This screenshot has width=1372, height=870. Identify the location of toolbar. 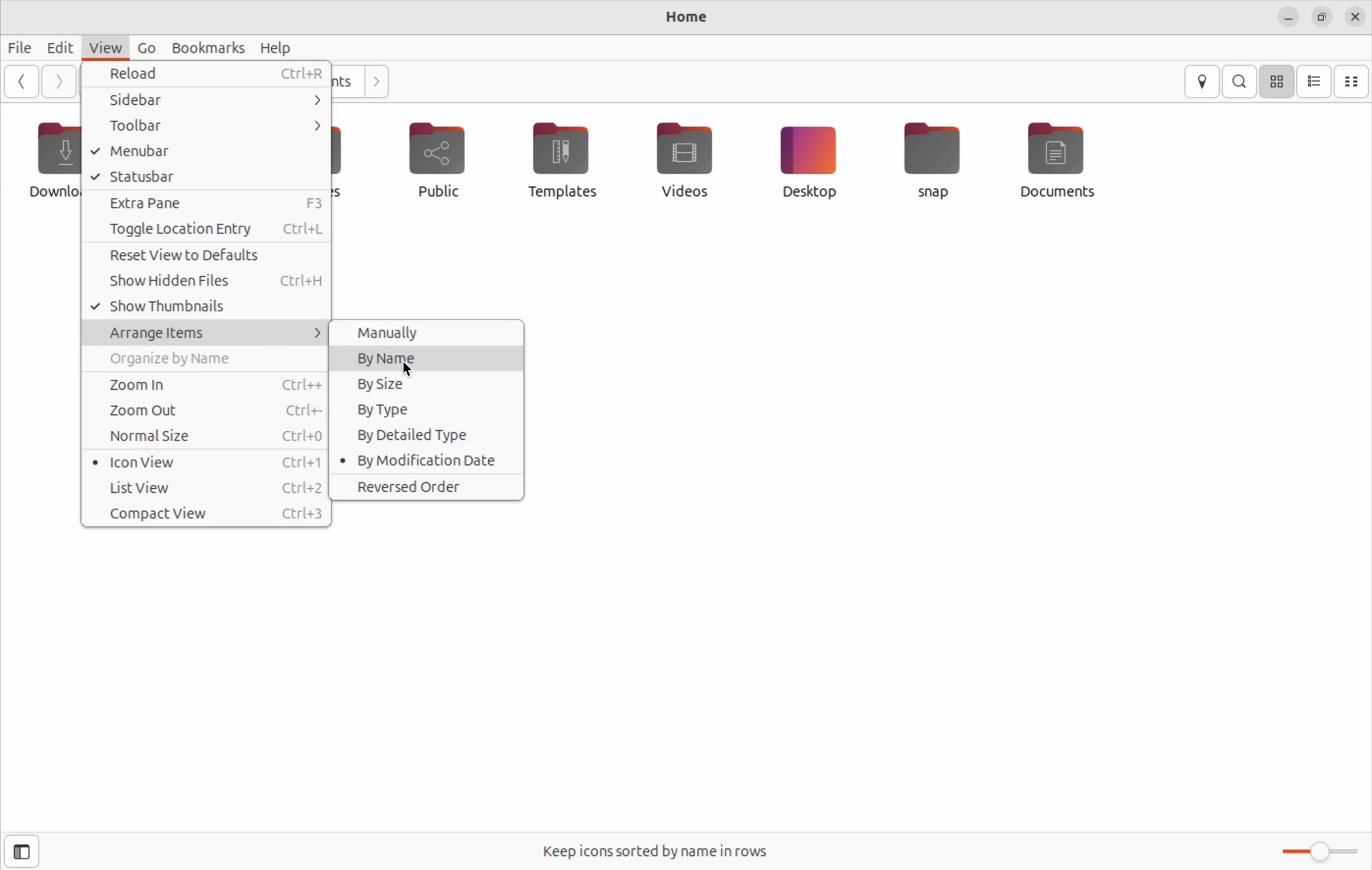
(205, 126).